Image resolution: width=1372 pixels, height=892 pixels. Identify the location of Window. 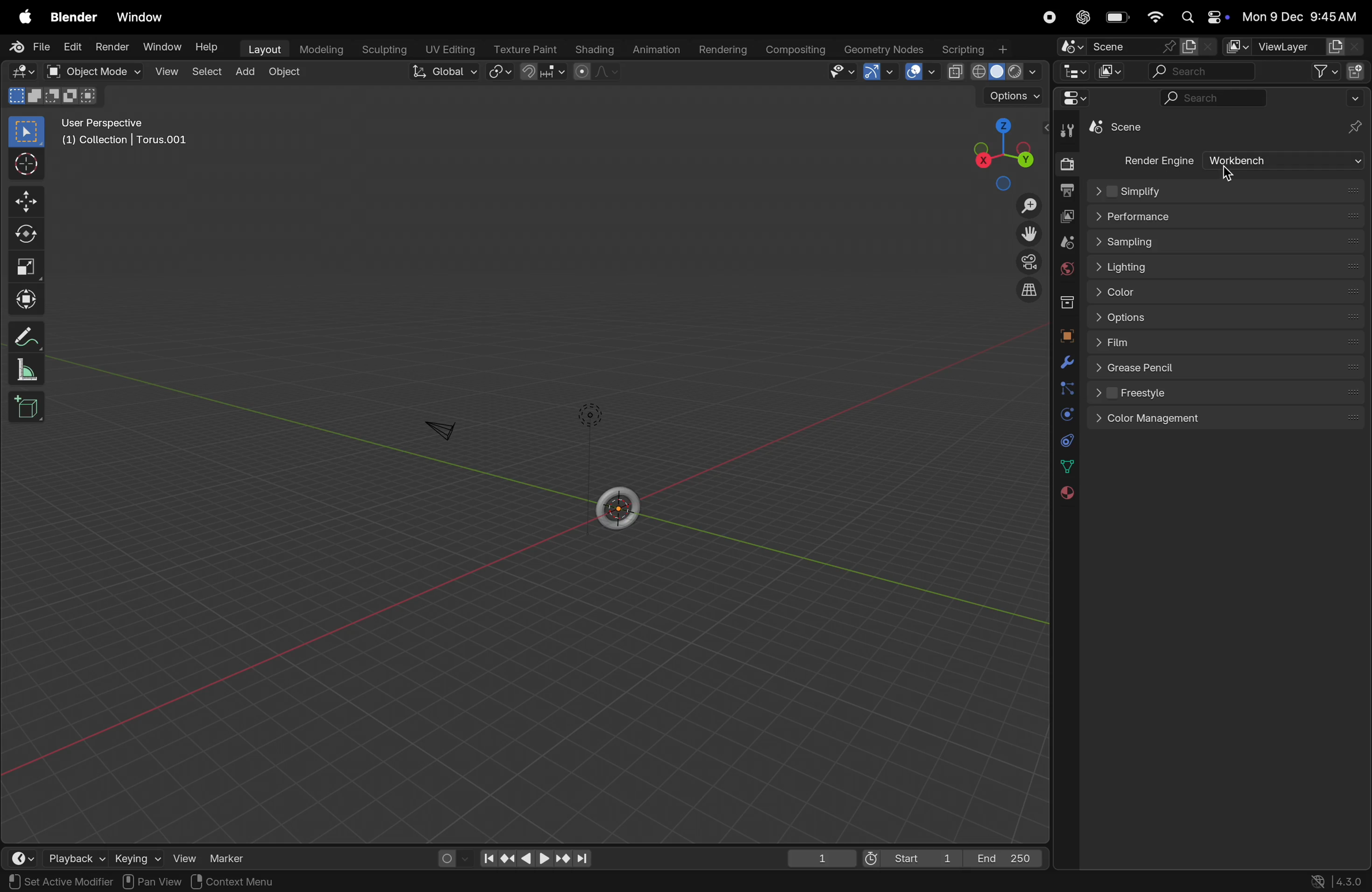
(144, 17).